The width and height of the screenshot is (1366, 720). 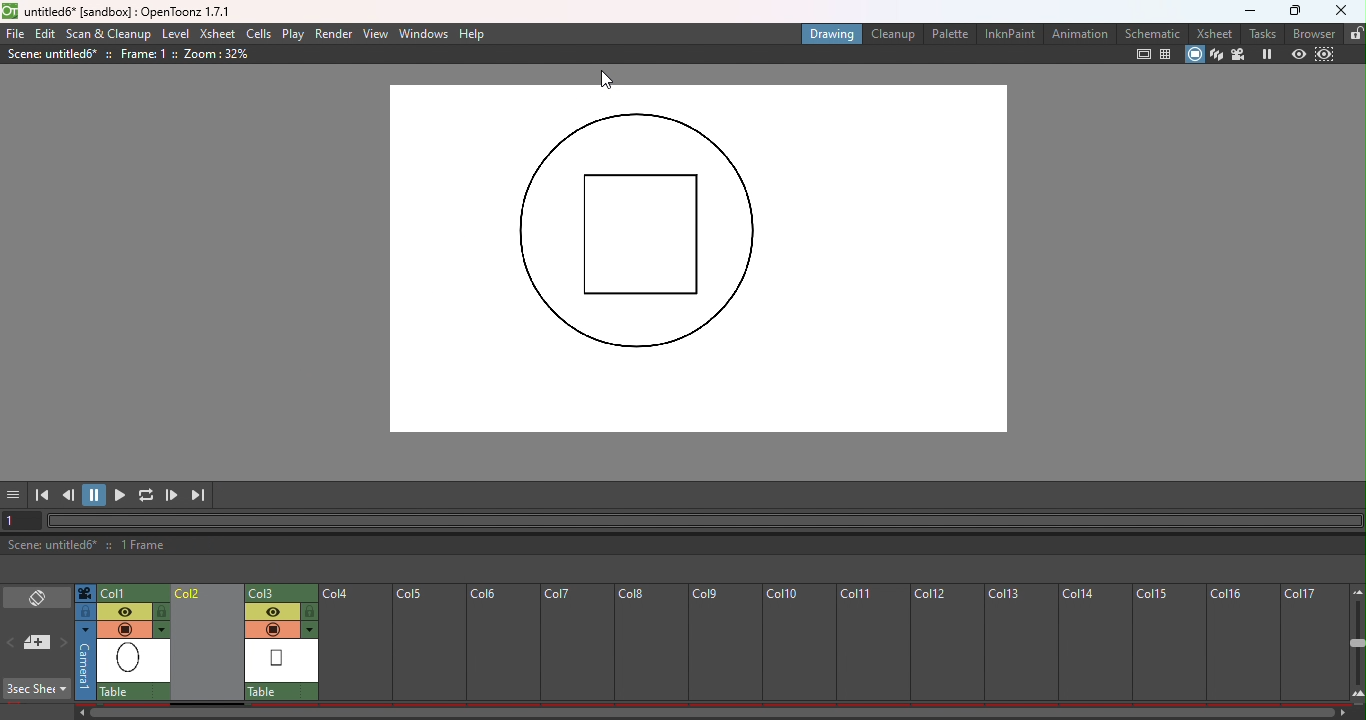 What do you see at coordinates (949, 35) in the screenshot?
I see `Palette` at bounding box center [949, 35].